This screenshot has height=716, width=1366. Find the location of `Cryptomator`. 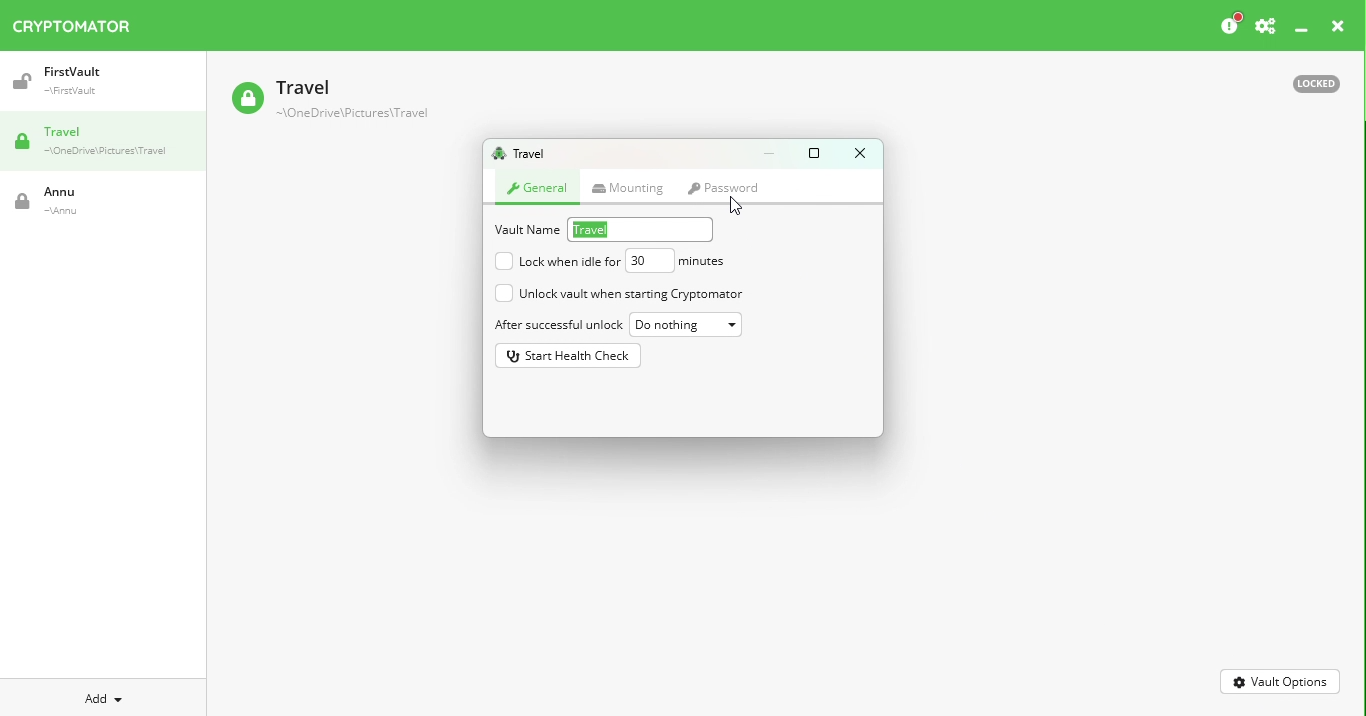

Cryptomator is located at coordinates (72, 22).